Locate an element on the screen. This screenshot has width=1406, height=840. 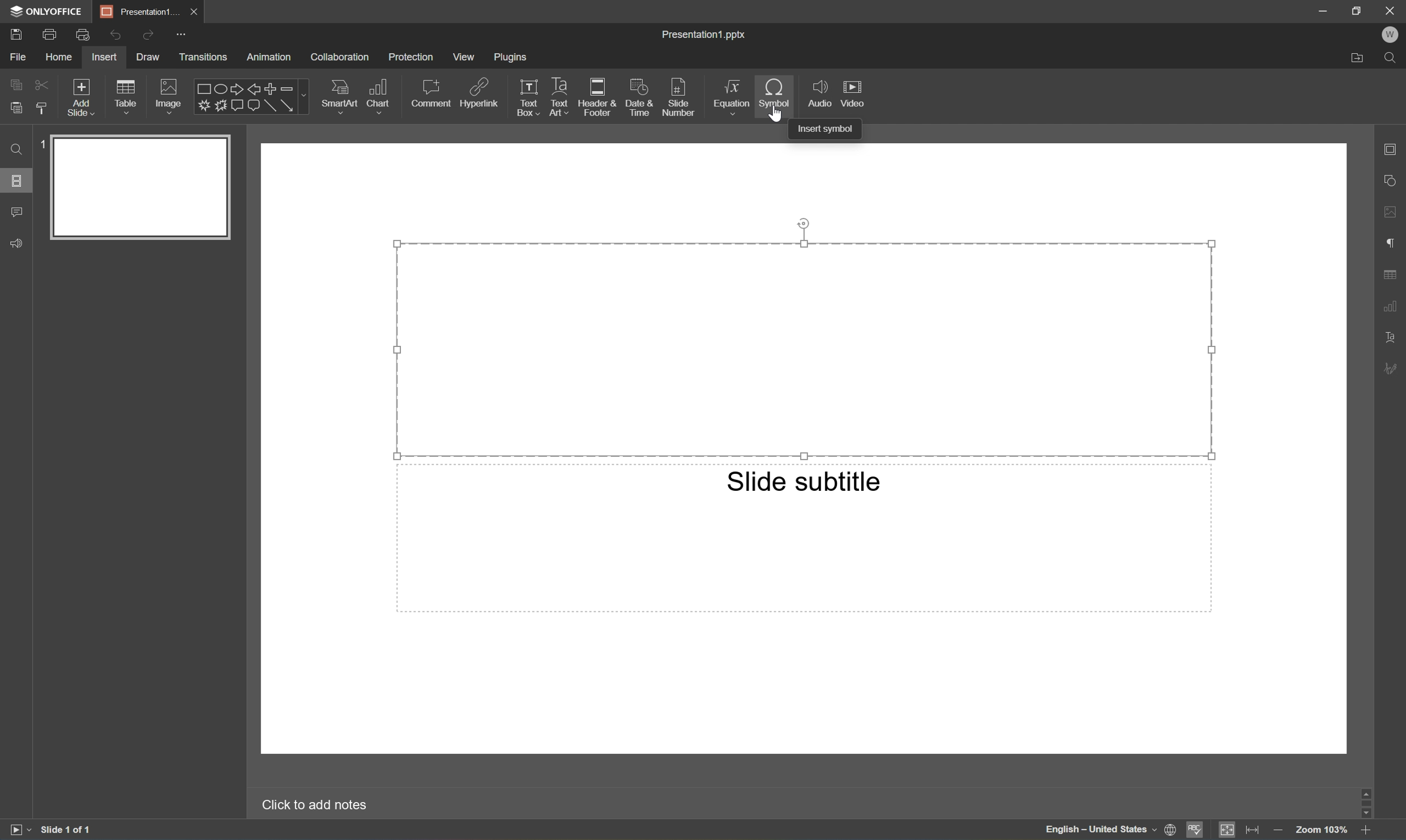
Close is located at coordinates (194, 11).